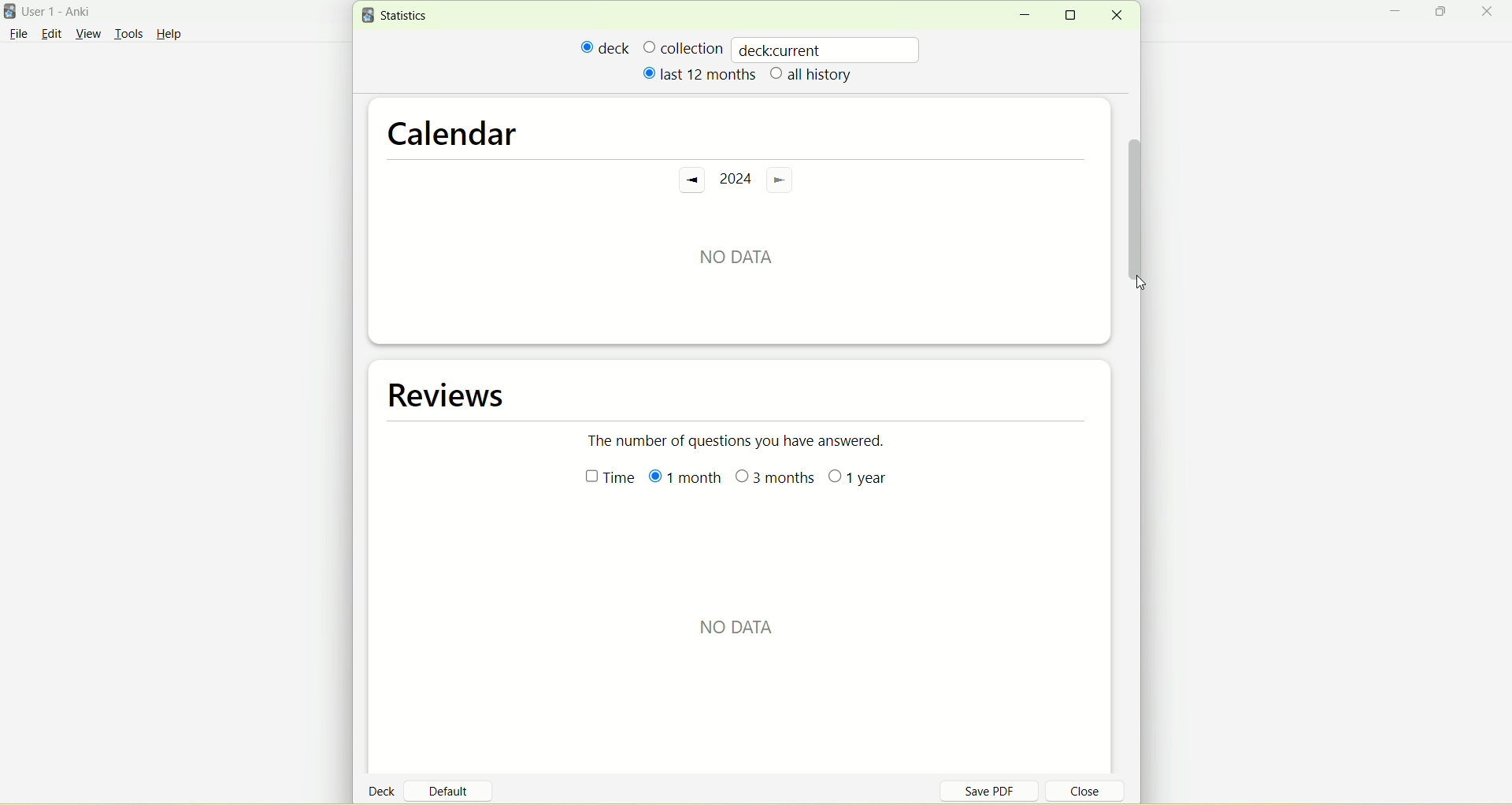 This screenshot has height=805, width=1512. I want to click on deck, so click(606, 47).